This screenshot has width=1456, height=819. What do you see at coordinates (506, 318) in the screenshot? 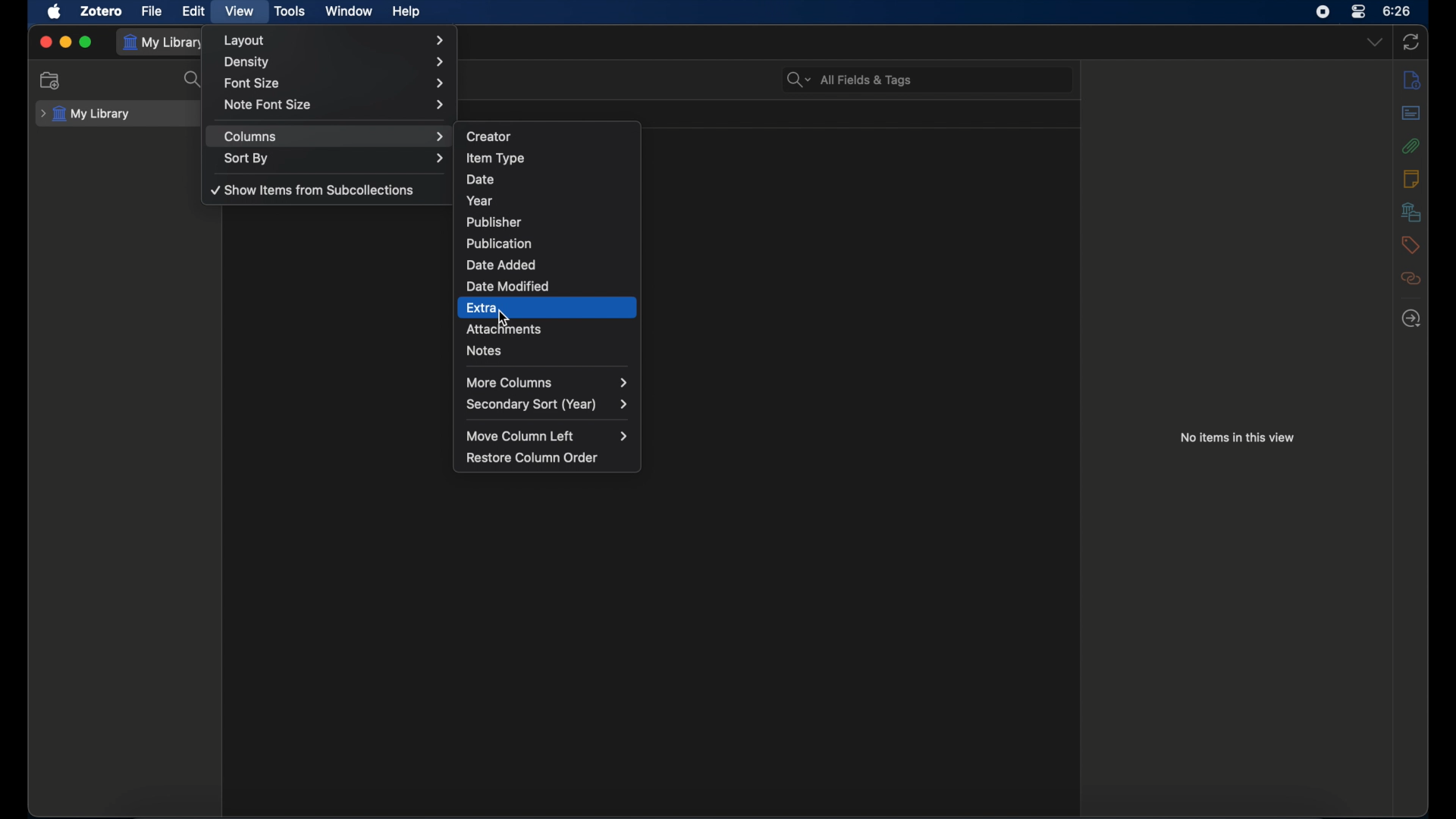
I see `cursor` at bounding box center [506, 318].